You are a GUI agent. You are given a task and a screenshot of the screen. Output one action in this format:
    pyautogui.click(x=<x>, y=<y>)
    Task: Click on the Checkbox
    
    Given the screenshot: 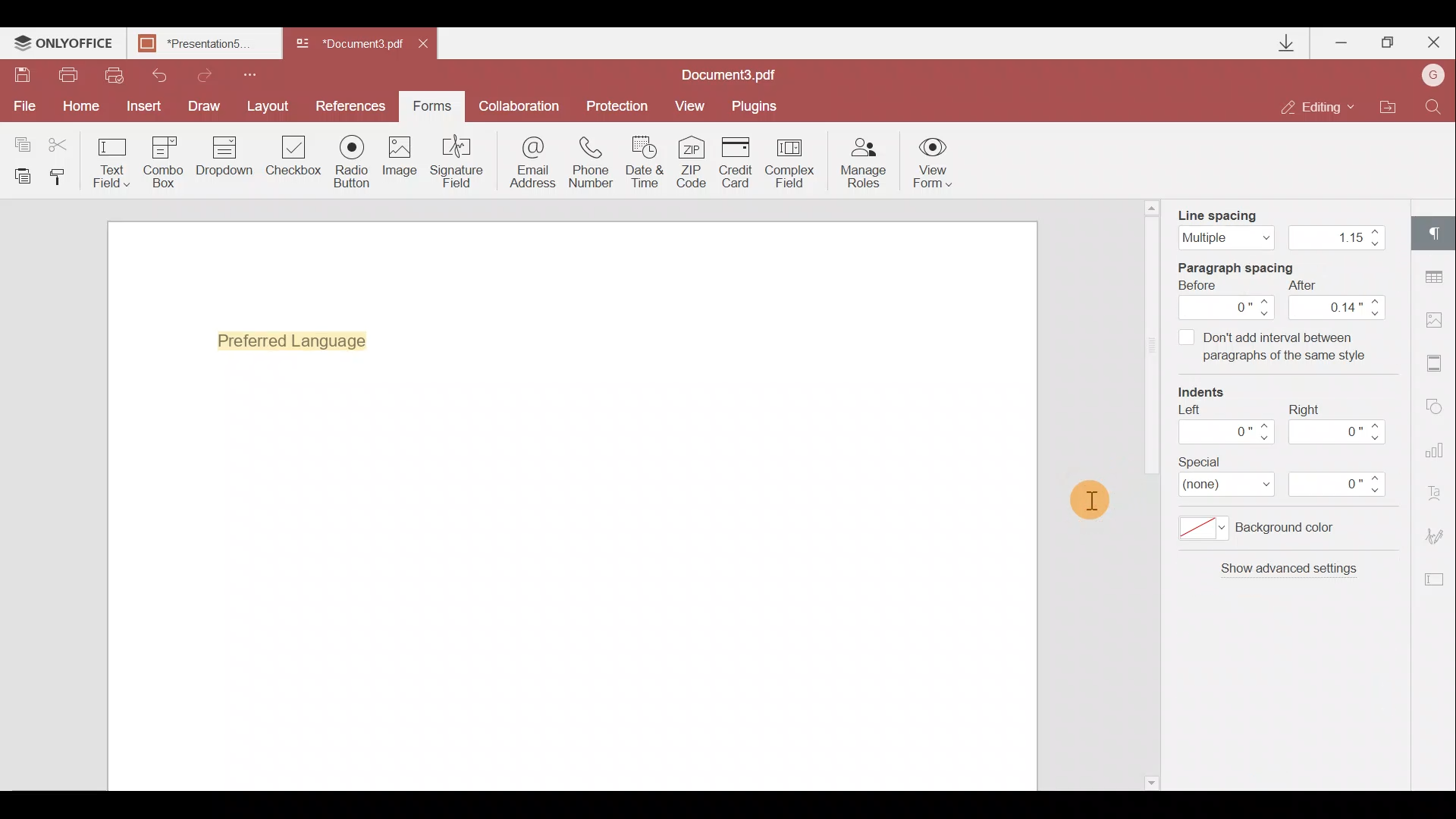 What is the action you would take?
    pyautogui.click(x=291, y=158)
    